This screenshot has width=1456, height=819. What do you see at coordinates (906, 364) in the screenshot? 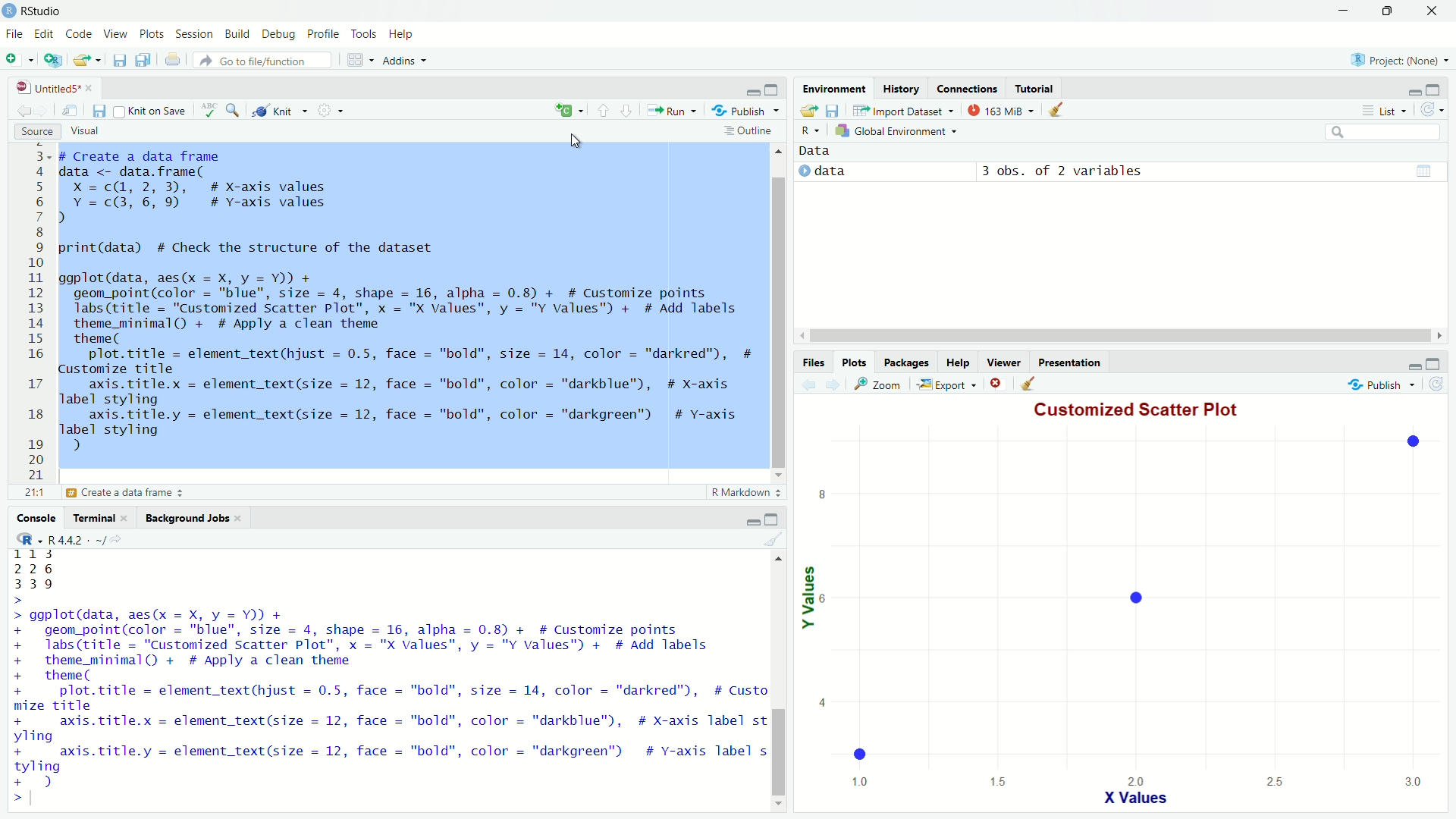
I see `Pacakges` at bounding box center [906, 364].